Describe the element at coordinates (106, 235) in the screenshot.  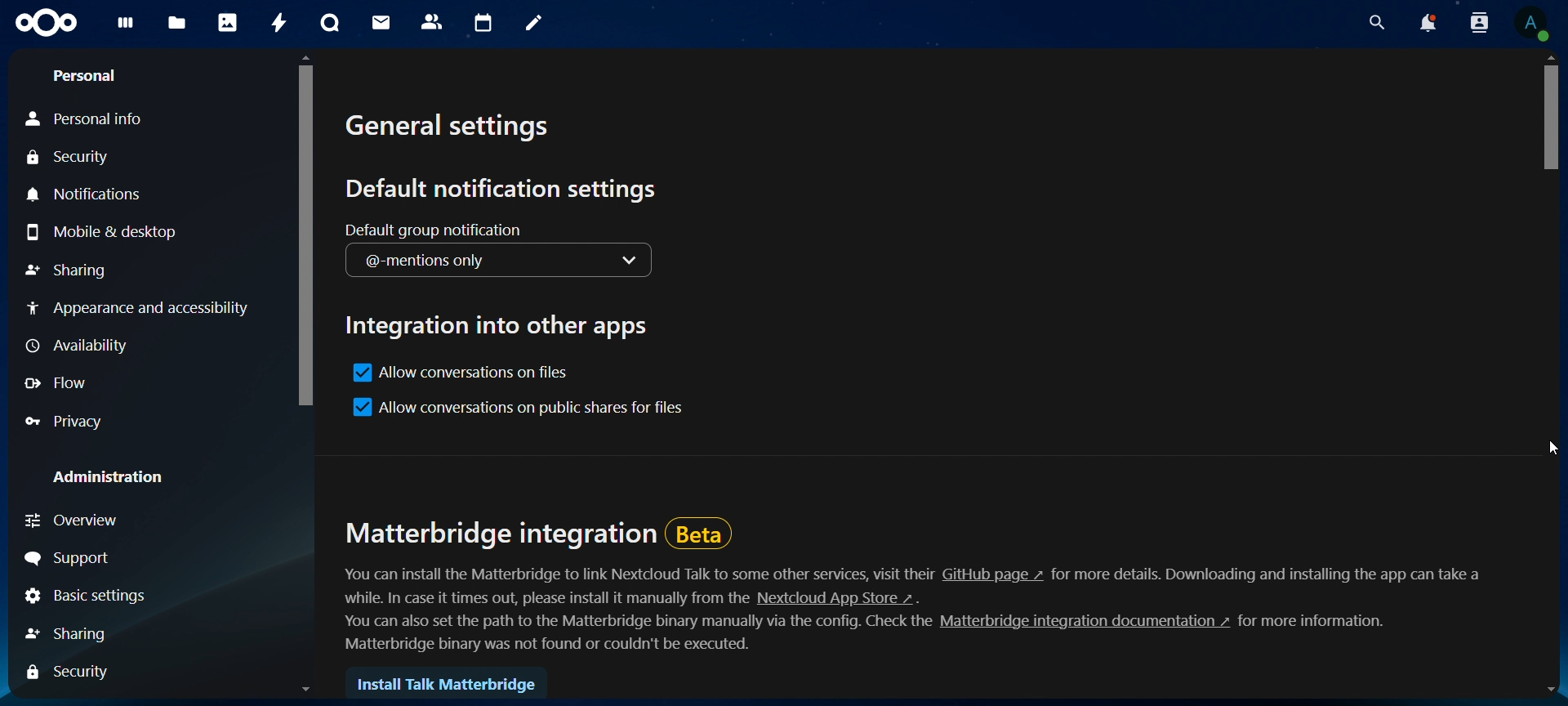
I see `Mobile & Desktop` at that location.